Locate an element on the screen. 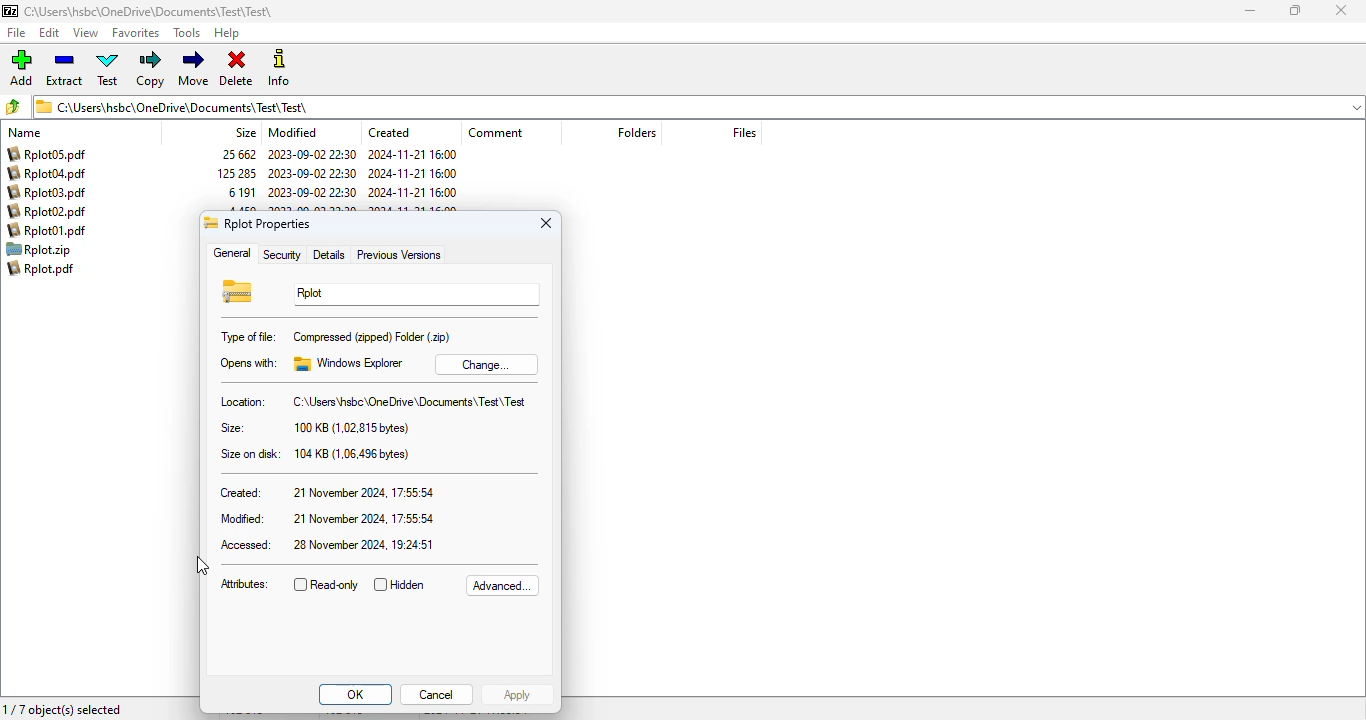 The height and width of the screenshot is (720, 1366). attributes is located at coordinates (245, 585).